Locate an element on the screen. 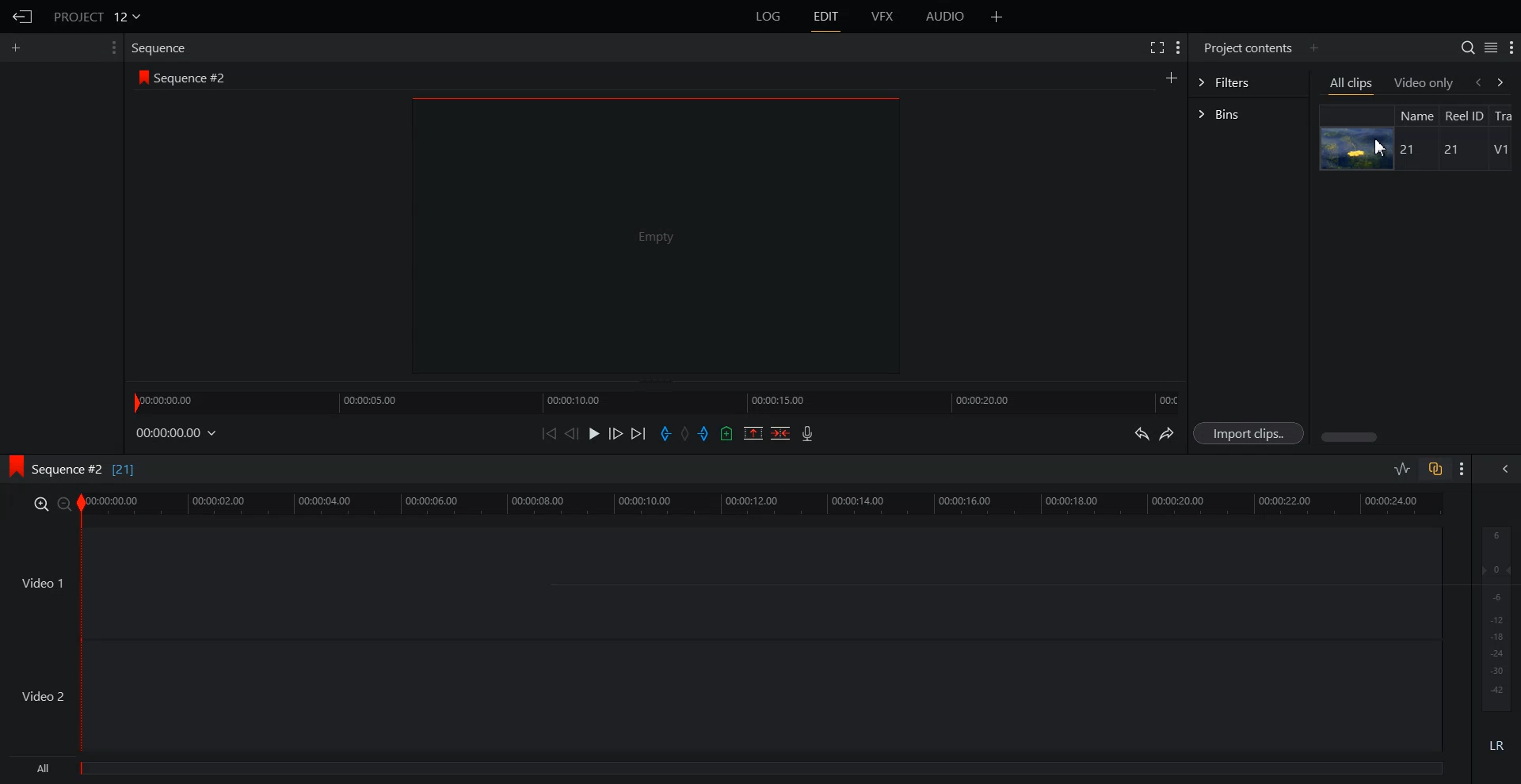  Cursor is located at coordinates (1379, 147).